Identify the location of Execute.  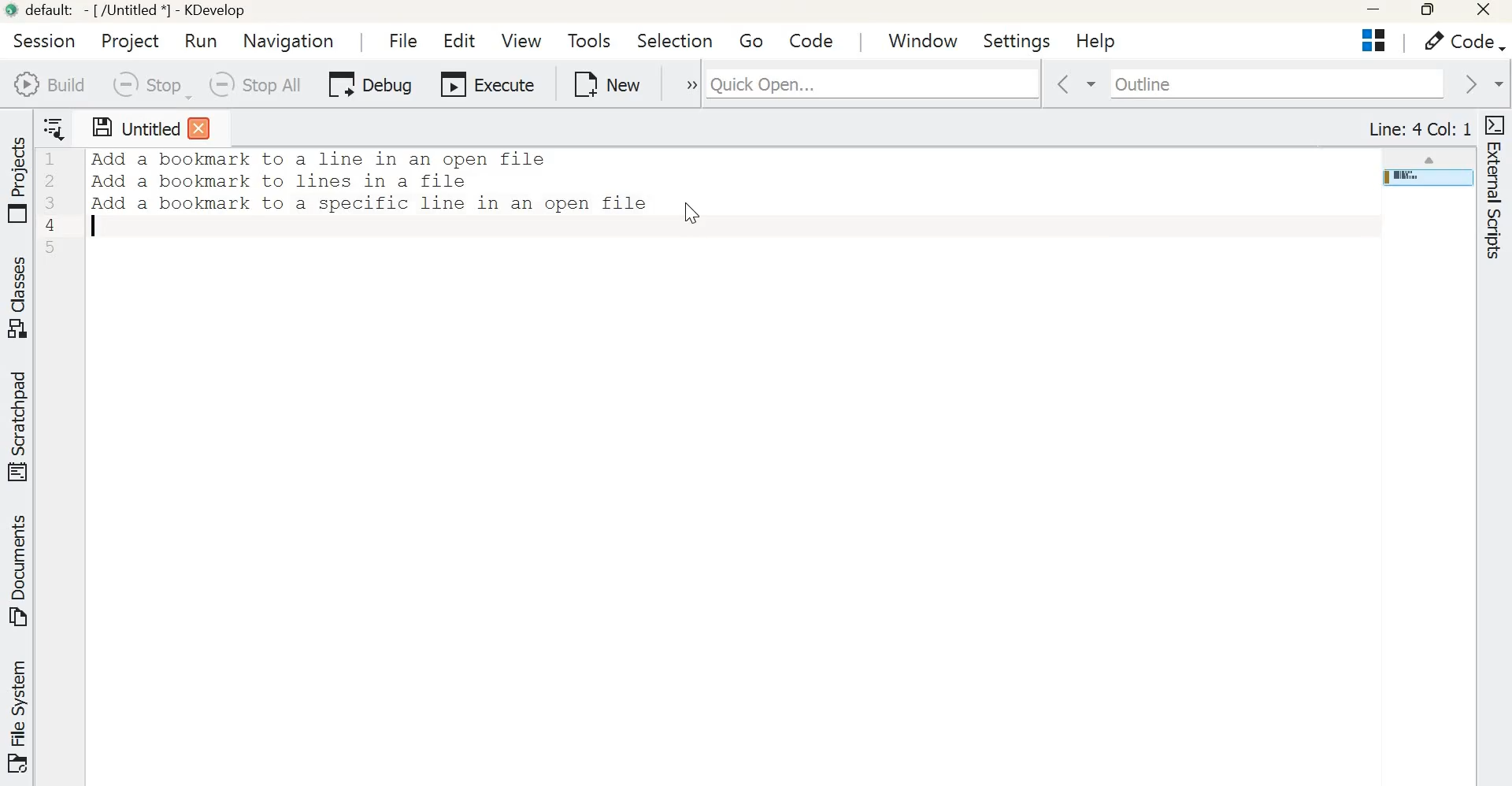
(485, 81).